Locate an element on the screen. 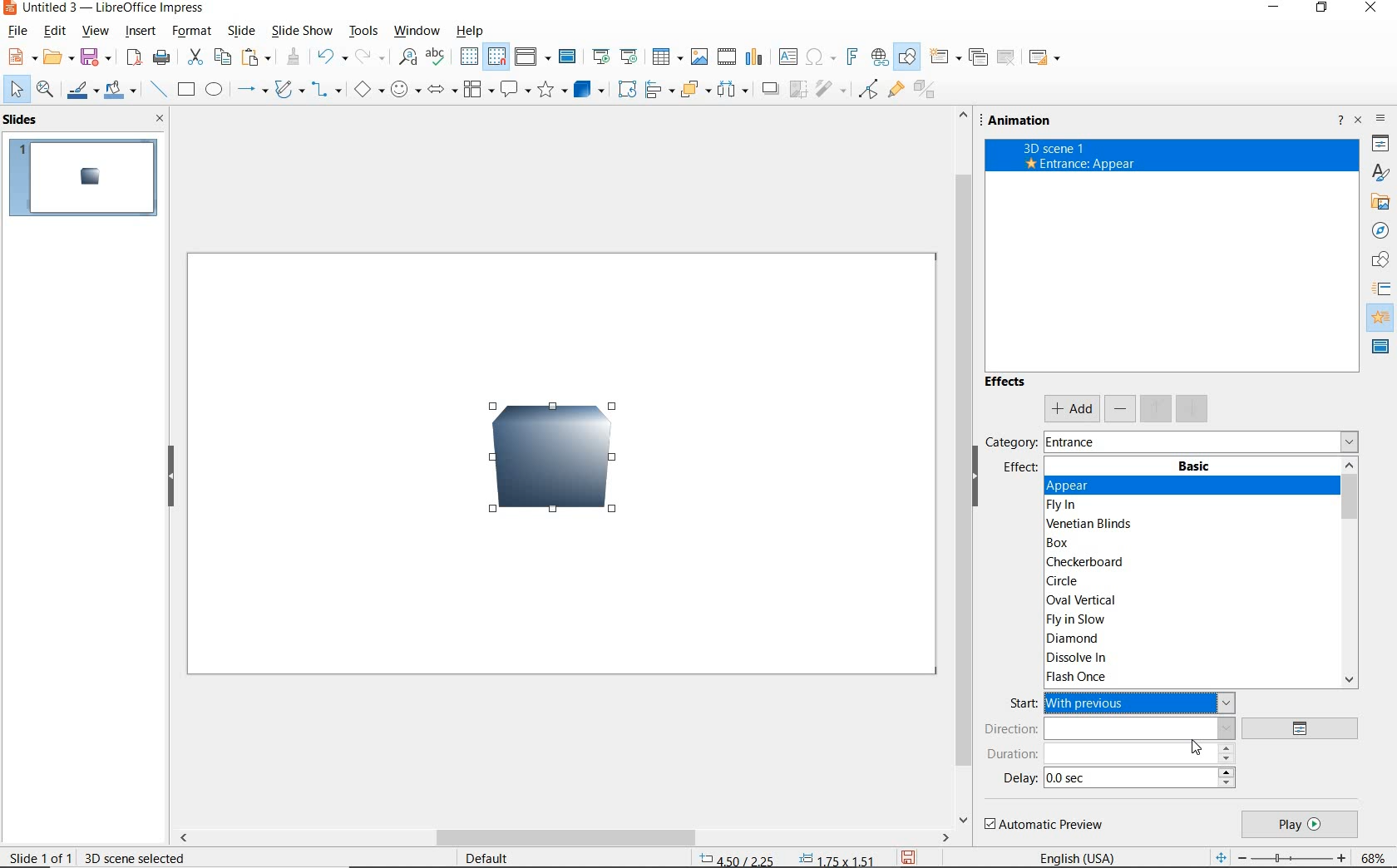  clone formatting is located at coordinates (295, 57).